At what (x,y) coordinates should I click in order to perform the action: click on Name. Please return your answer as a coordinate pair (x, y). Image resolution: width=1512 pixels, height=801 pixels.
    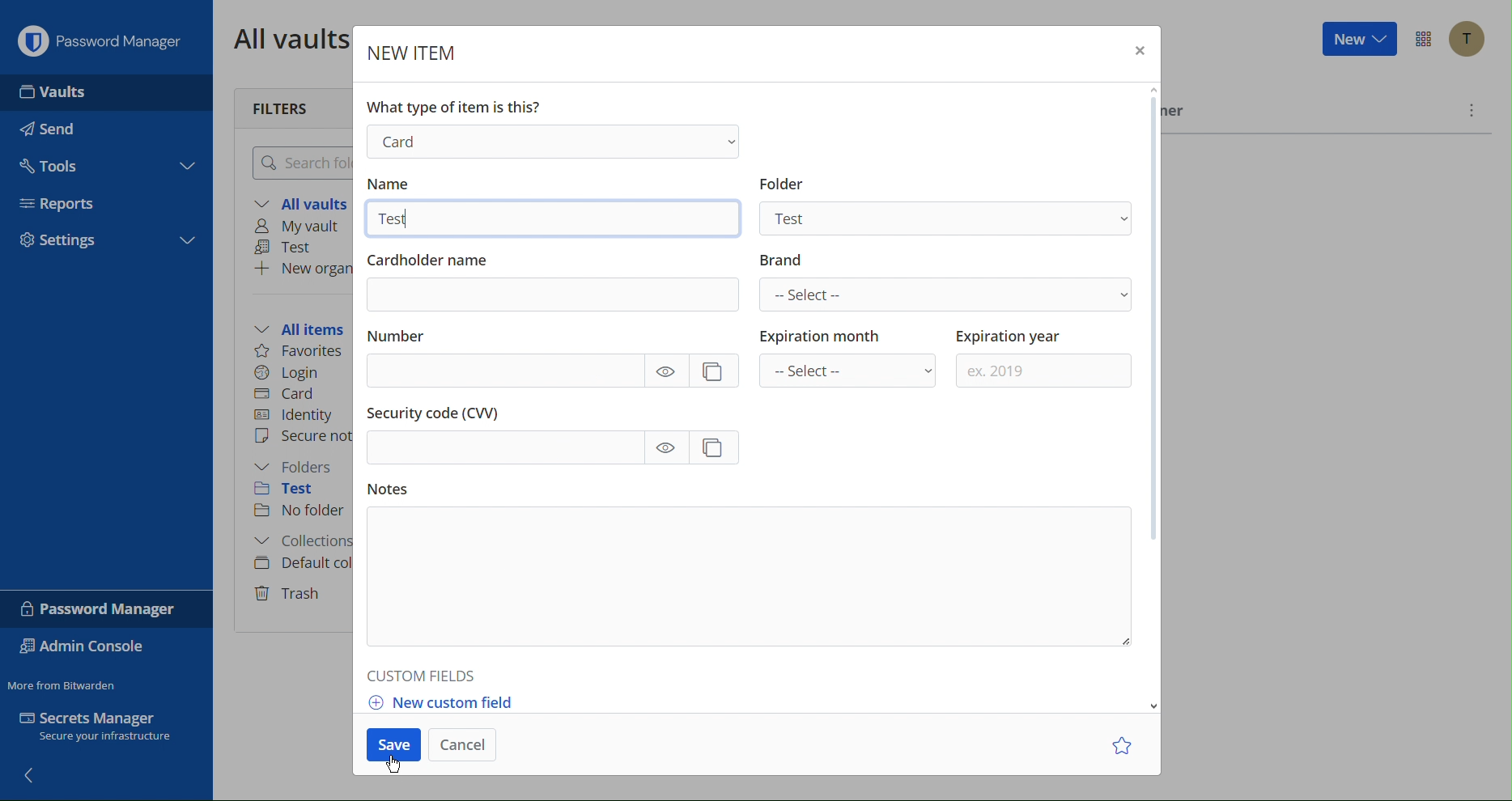
    Looking at the image, I should click on (391, 185).